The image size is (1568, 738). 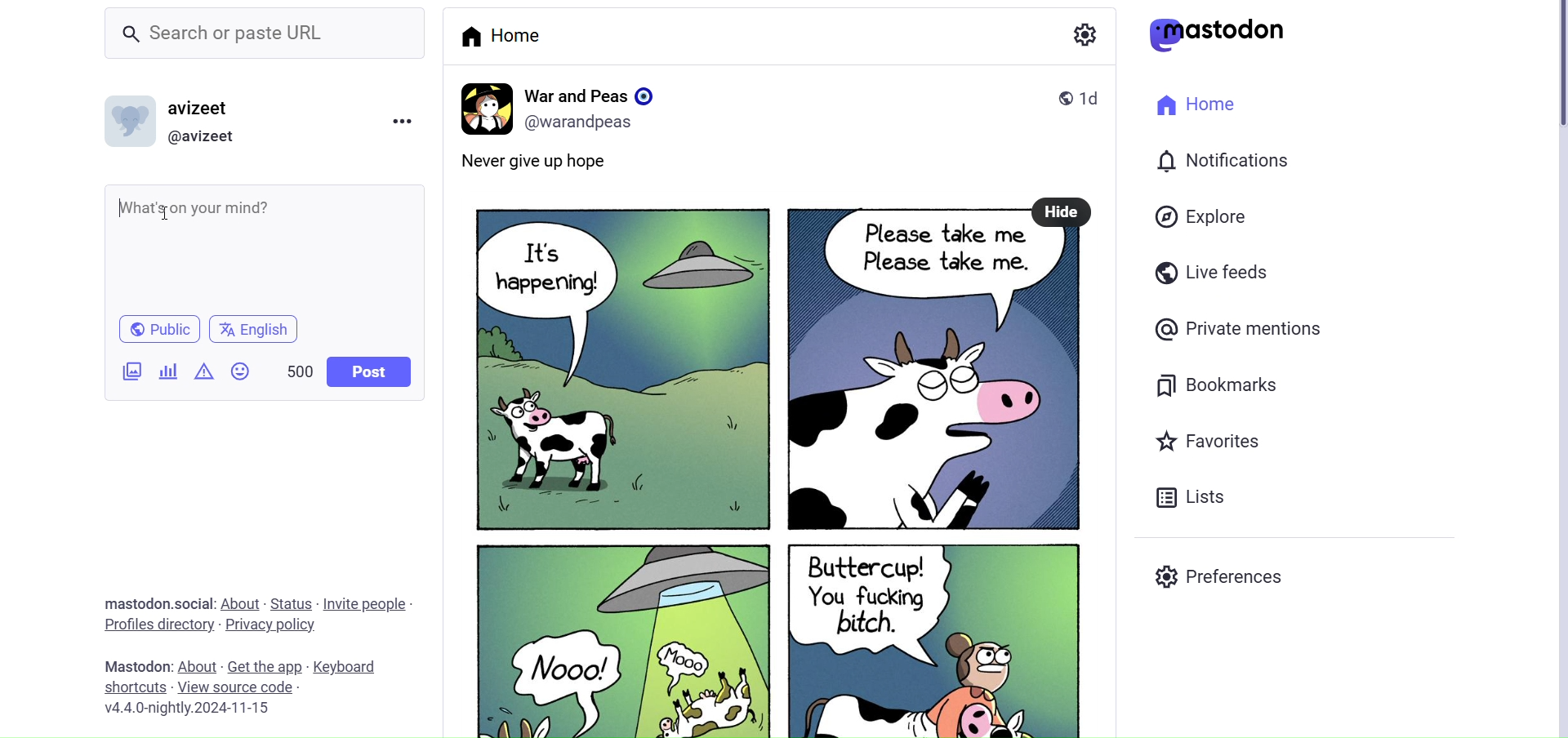 I want to click on profiles directory, so click(x=158, y=624).